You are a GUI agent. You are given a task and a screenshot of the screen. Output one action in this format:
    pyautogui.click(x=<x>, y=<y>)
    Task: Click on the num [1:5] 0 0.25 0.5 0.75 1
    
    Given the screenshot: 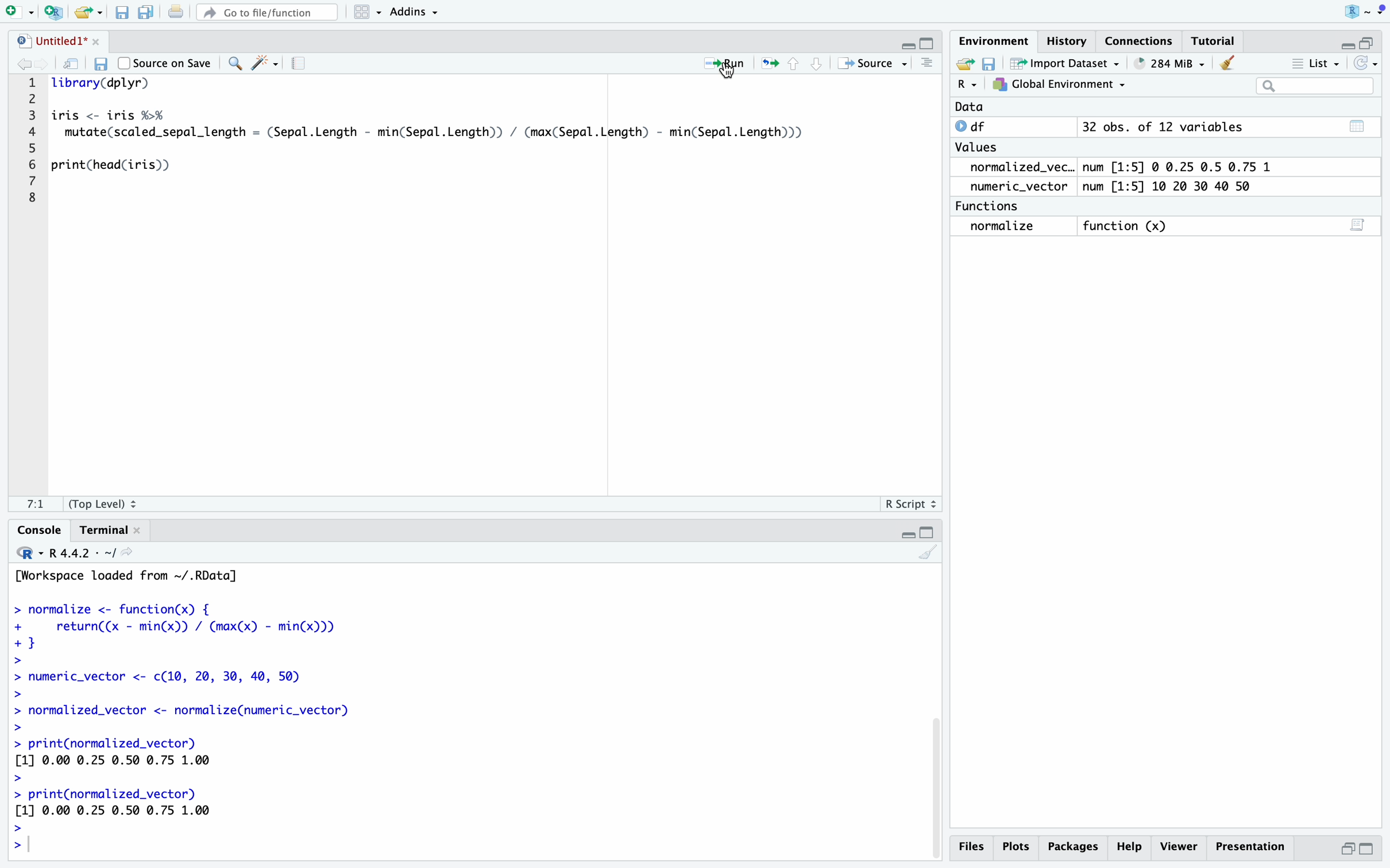 What is the action you would take?
    pyautogui.click(x=1180, y=167)
    